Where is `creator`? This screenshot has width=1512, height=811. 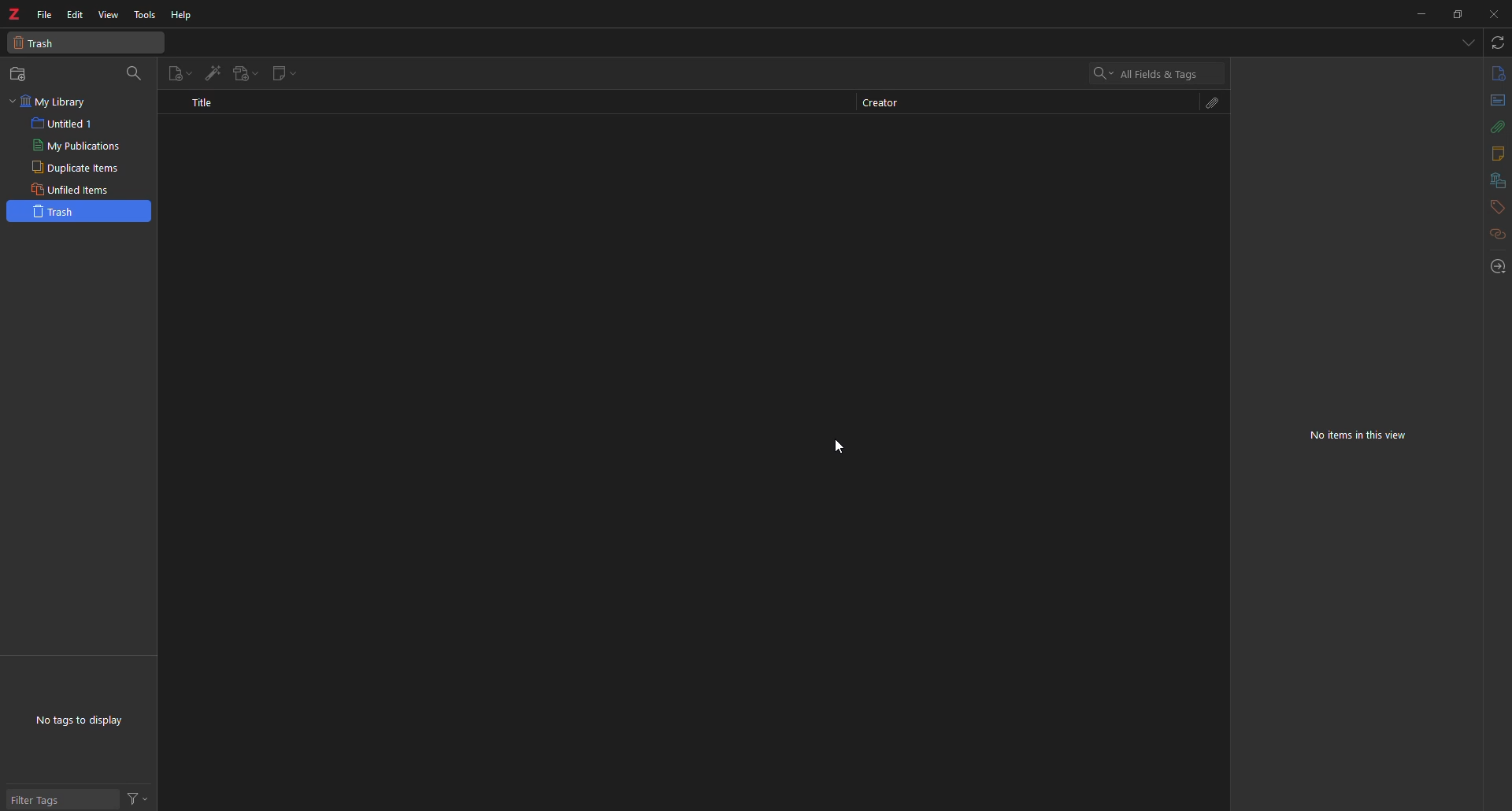
creator is located at coordinates (891, 103).